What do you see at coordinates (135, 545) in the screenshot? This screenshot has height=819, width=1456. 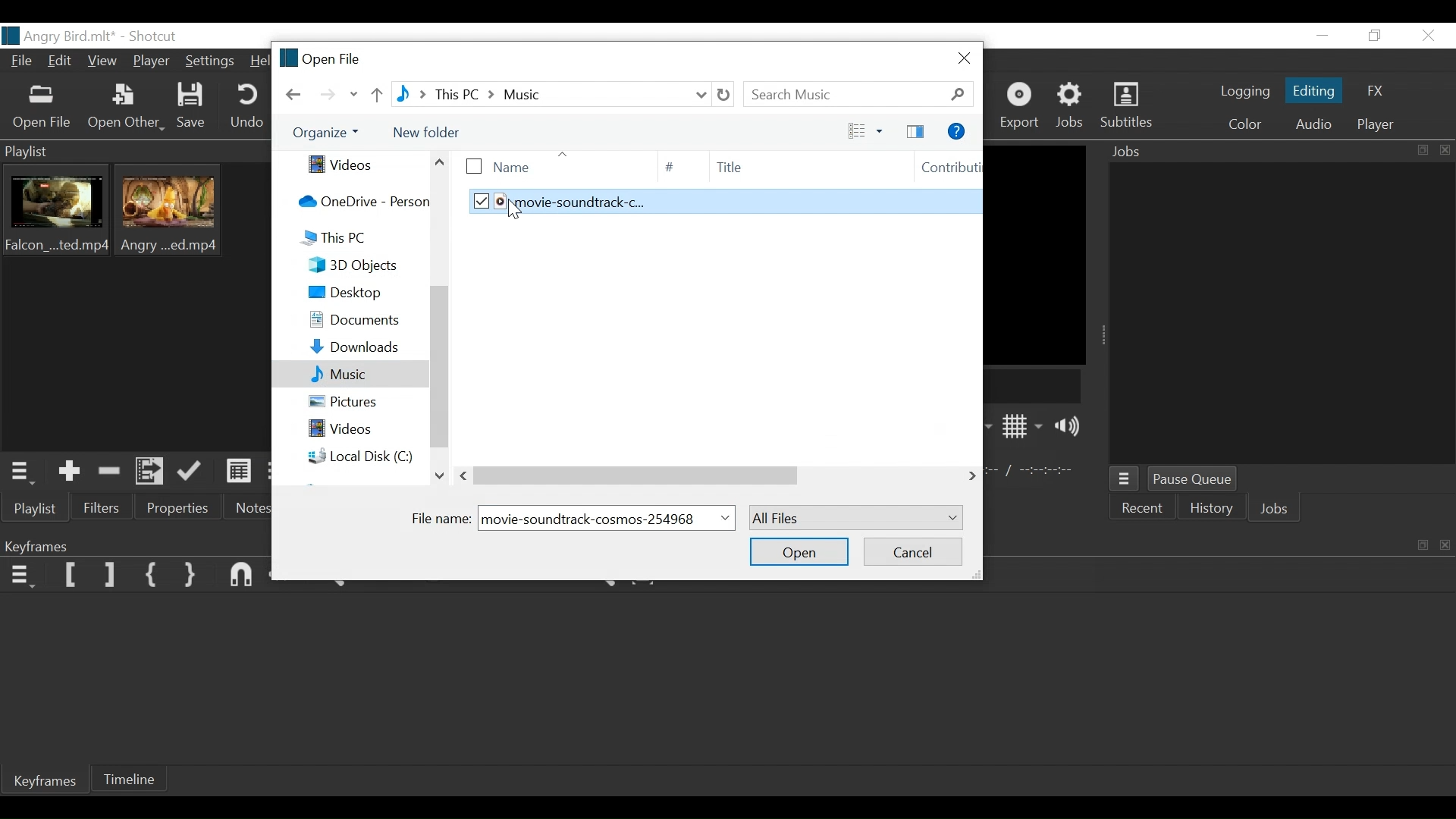 I see `Keyframe Panel` at bounding box center [135, 545].